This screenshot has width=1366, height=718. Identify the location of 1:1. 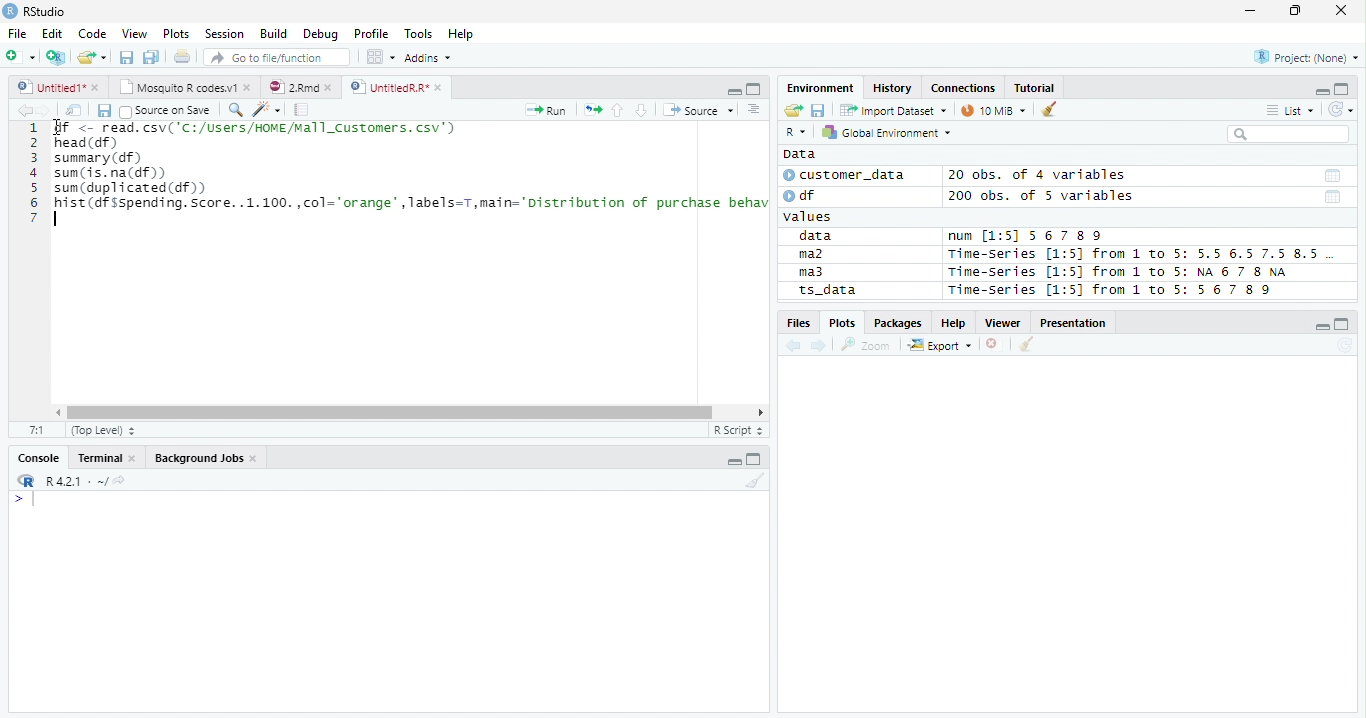
(37, 430).